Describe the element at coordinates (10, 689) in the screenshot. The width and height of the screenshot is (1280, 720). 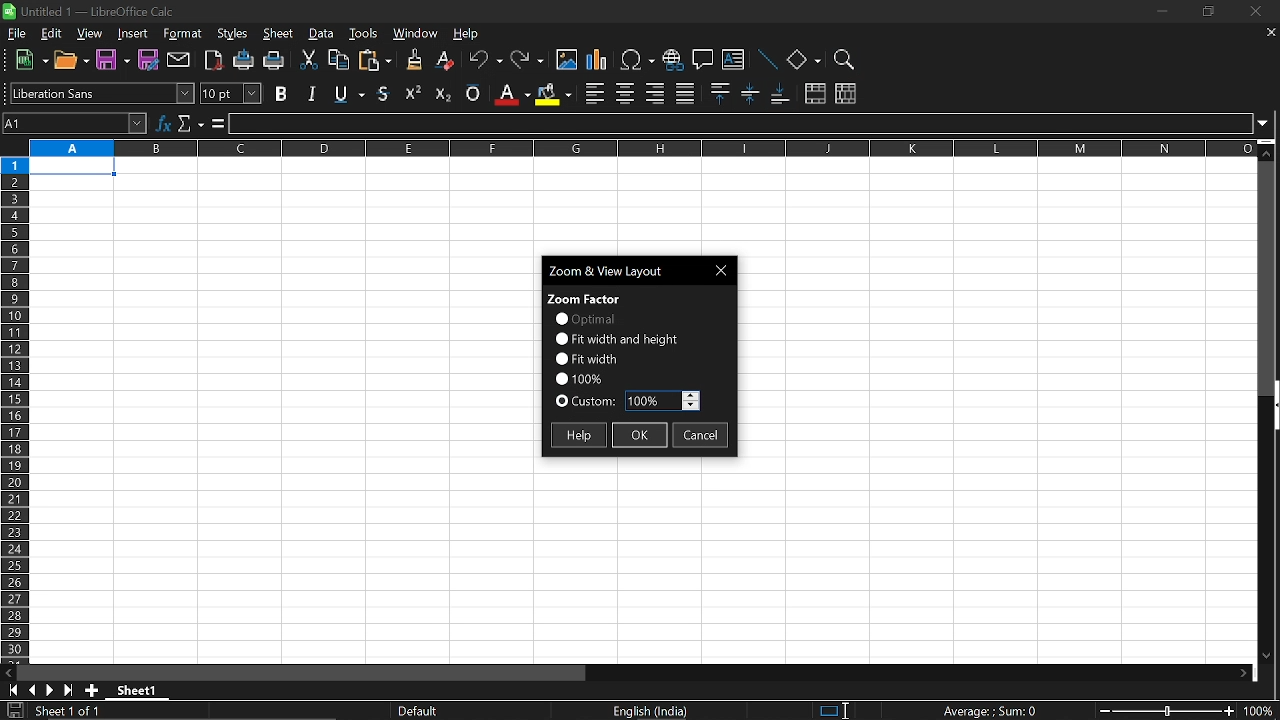
I see `go to first page` at that location.